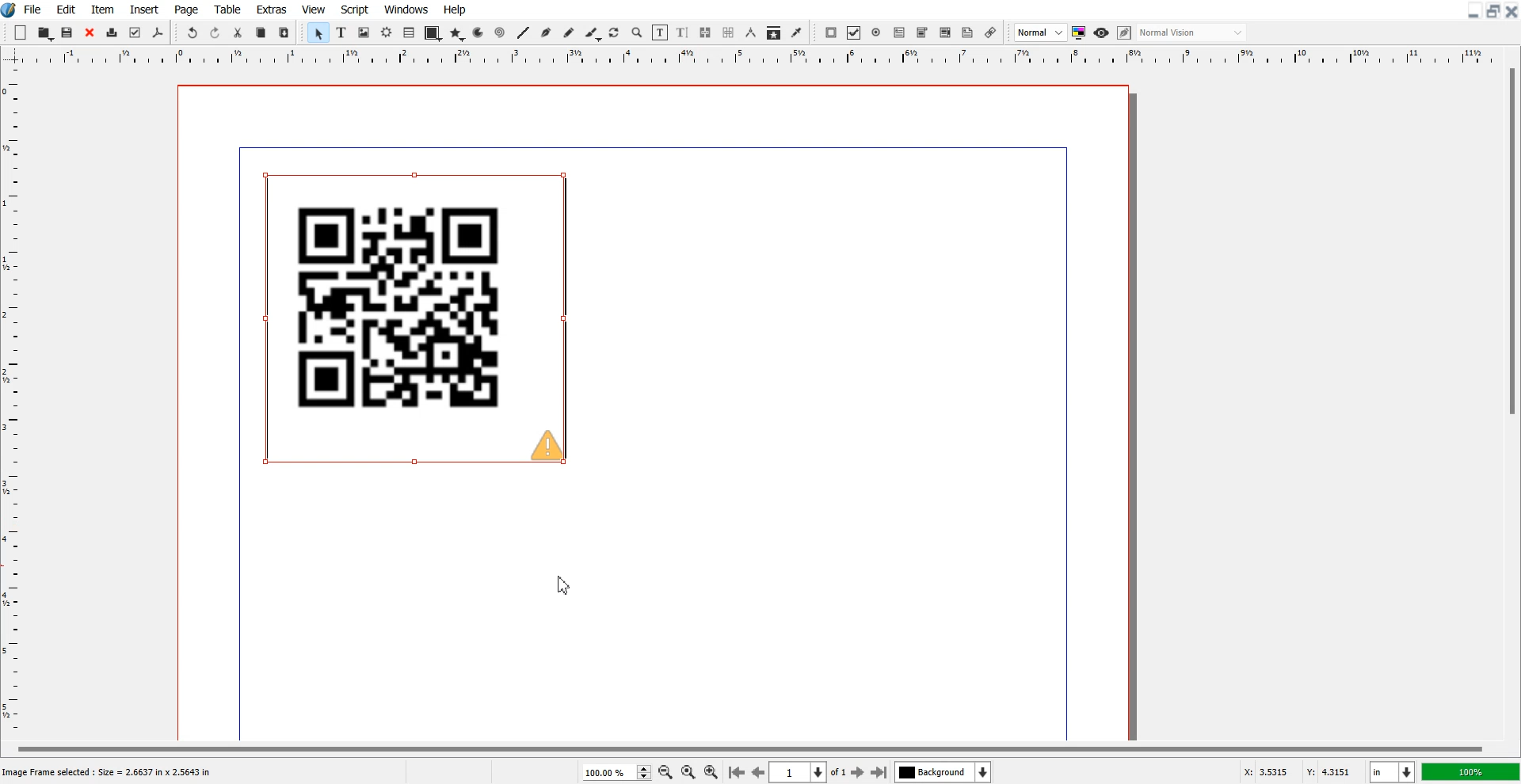  What do you see at coordinates (661, 32) in the screenshot?
I see `Edit Content of Frame` at bounding box center [661, 32].